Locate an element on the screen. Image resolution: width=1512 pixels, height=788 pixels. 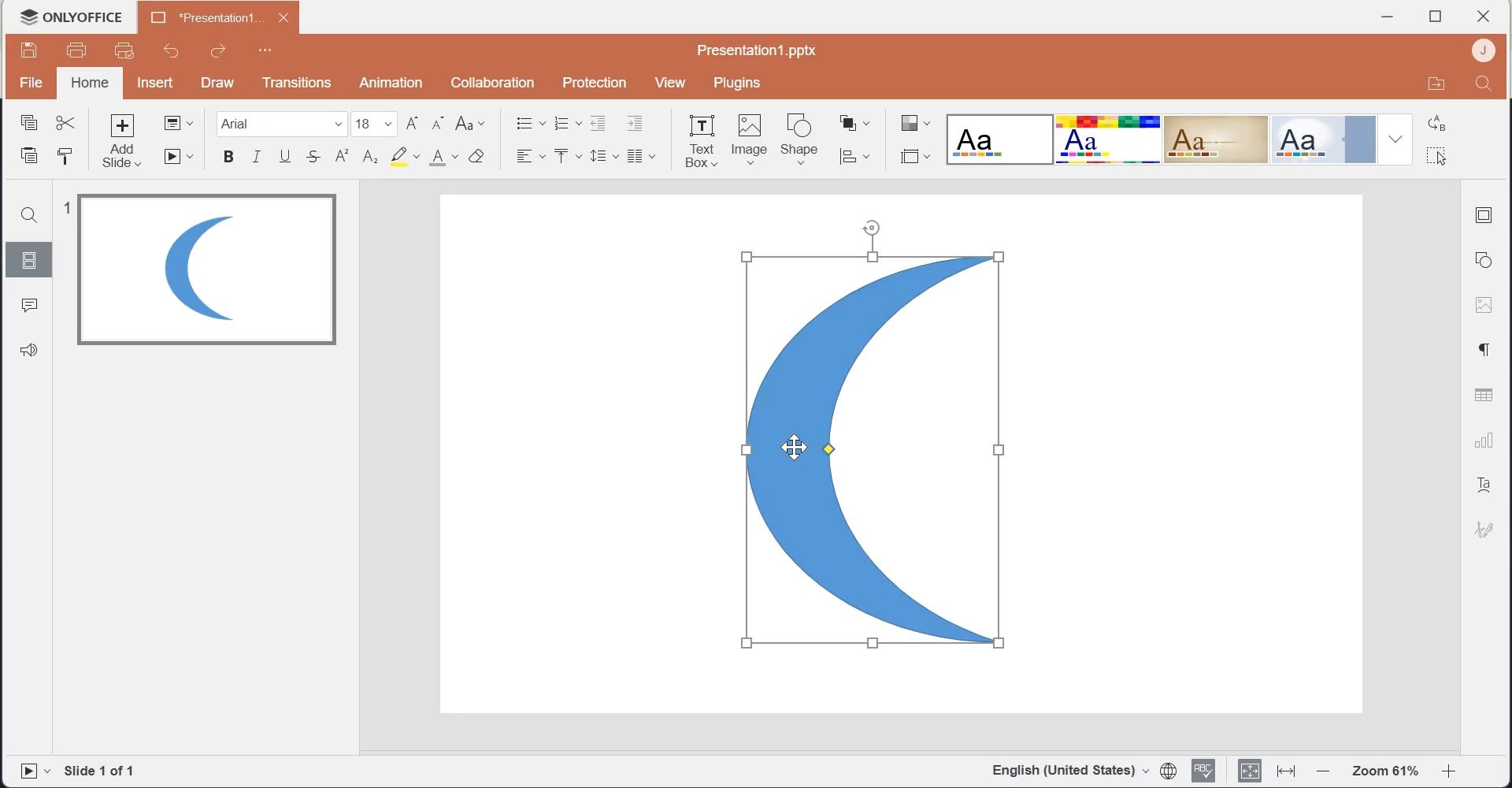
Selected Image shape is located at coordinates (875, 440).